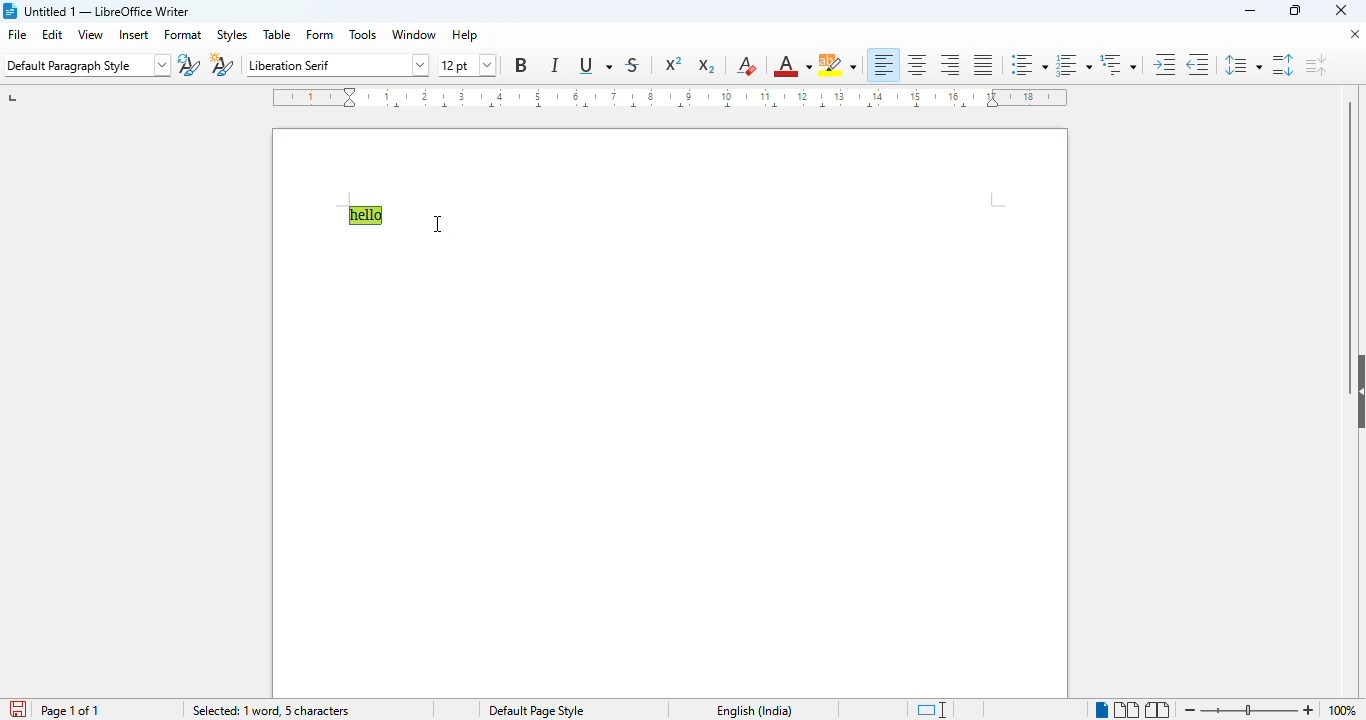  Describe the element at coordinates (1118, 64) in the screenshot. I see `select outline format` at that location.